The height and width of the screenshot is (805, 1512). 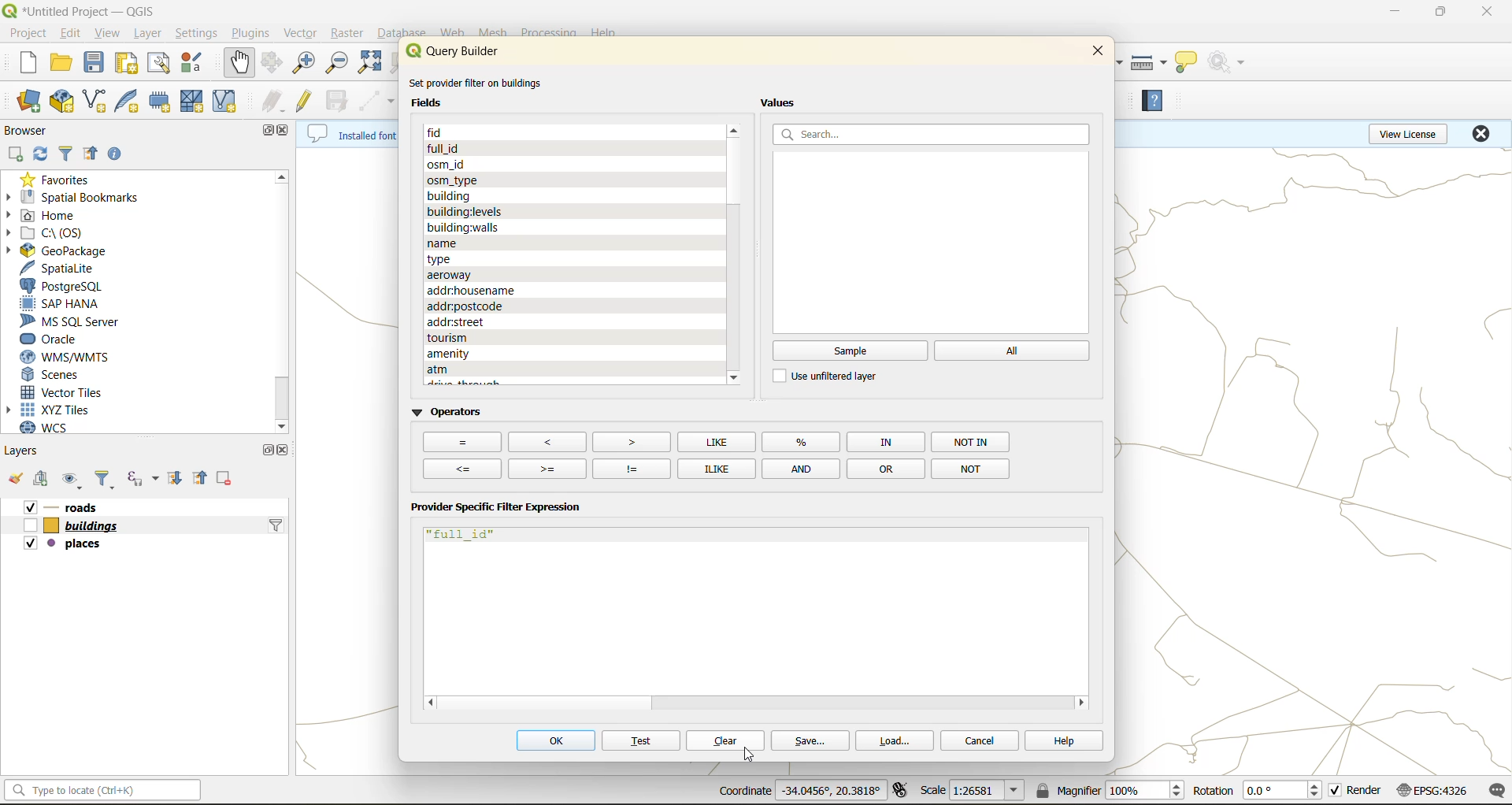 I want to click on save edits, so click(x=338, y=102).